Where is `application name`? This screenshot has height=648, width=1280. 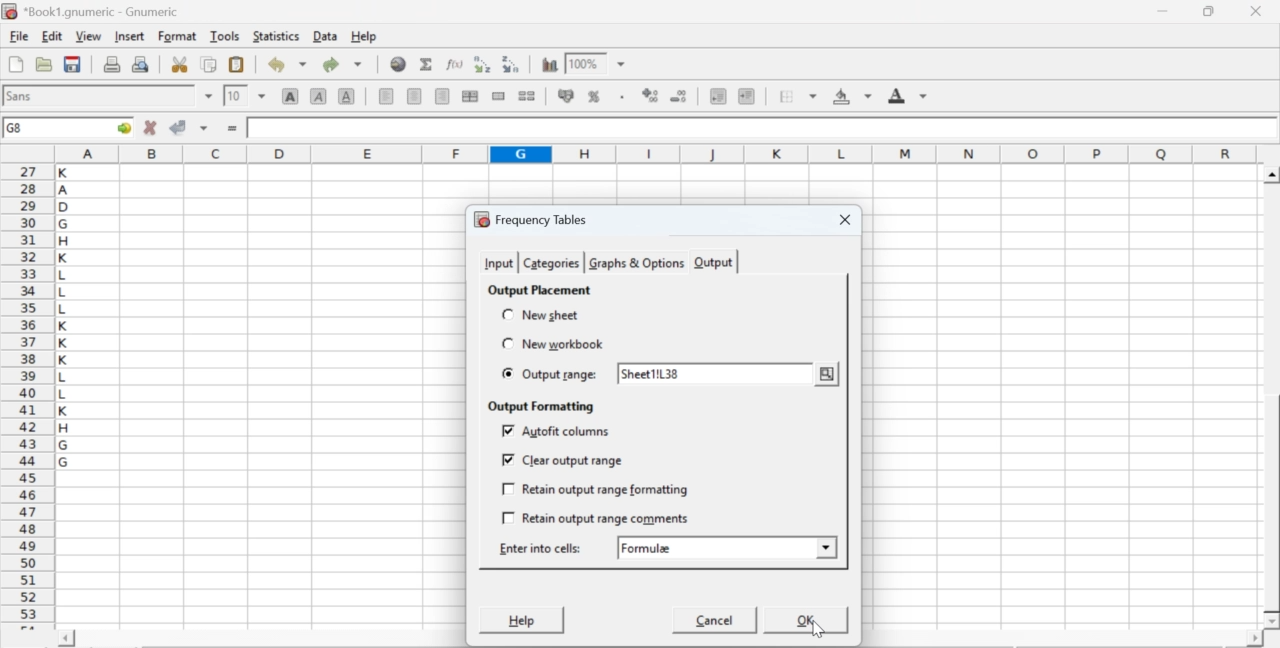
application name is located at coordinates (94, 9).